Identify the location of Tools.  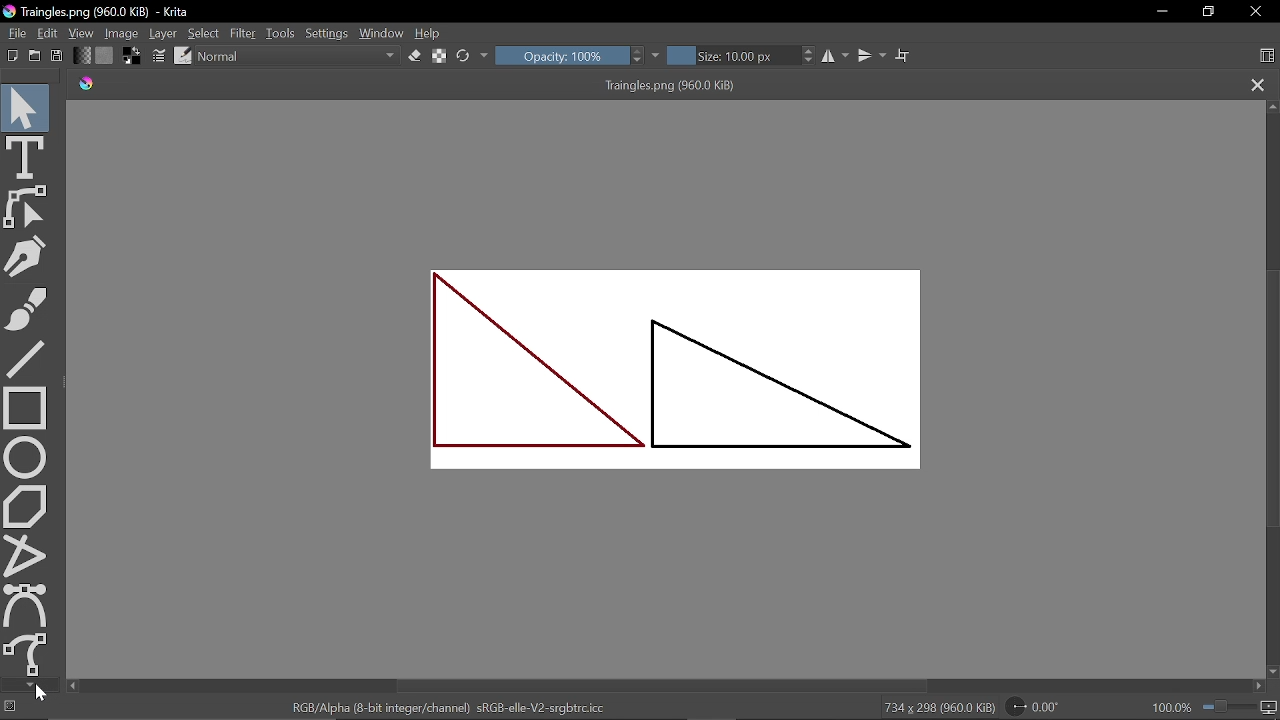
(281, 33).